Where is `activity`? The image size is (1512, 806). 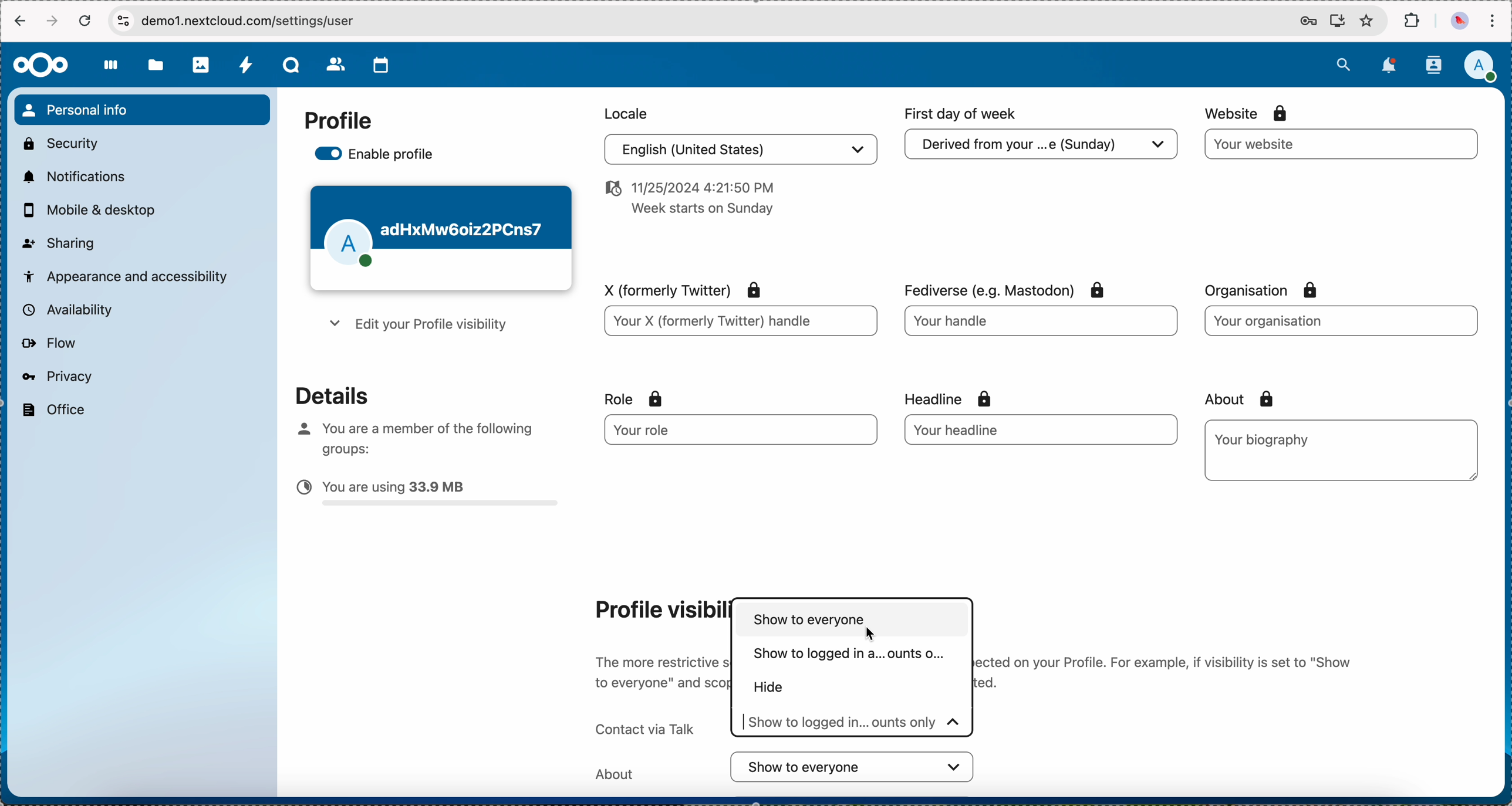
activity is located at coordinates (247, 66).